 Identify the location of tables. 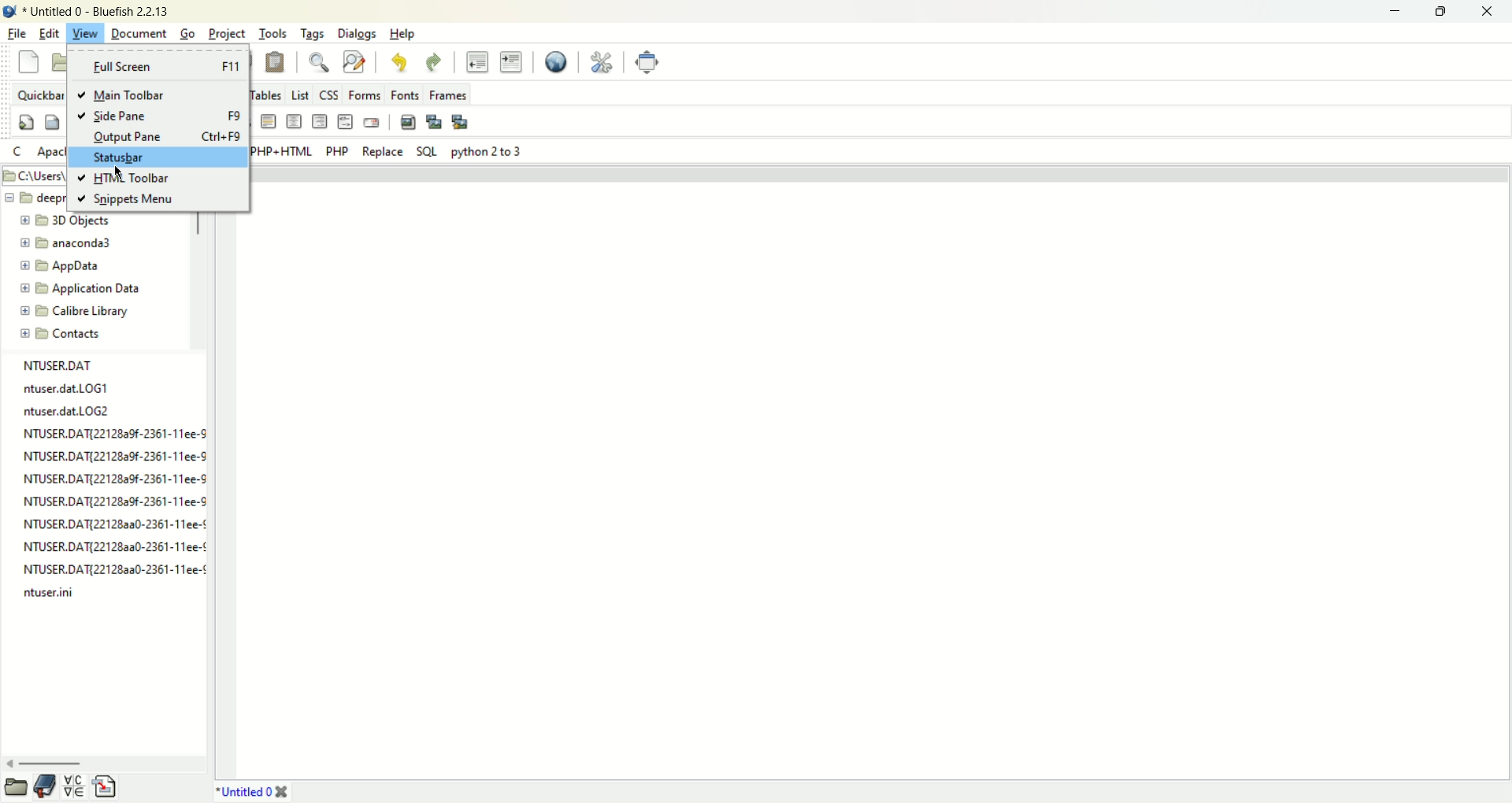
(266, 95).